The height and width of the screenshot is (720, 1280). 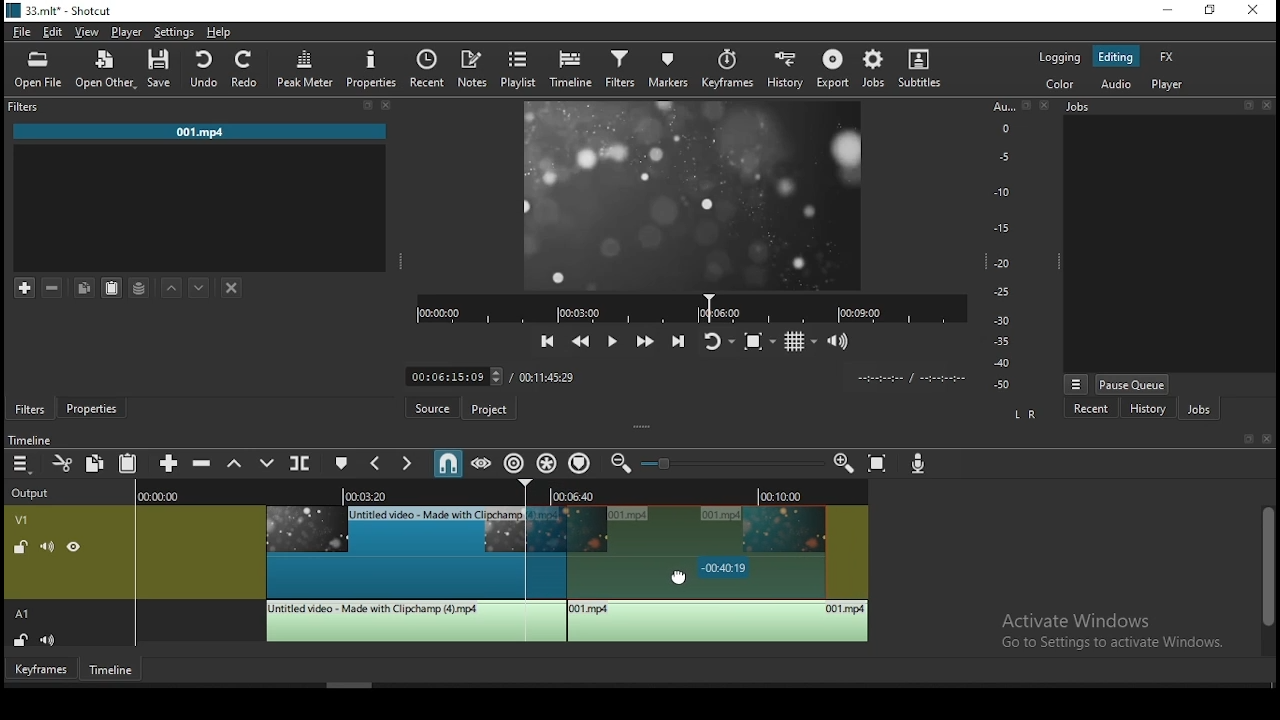 What do you see at coordinates (393, 552) in the screenshot?
I see `video clip` at bounding box center [393, 552].